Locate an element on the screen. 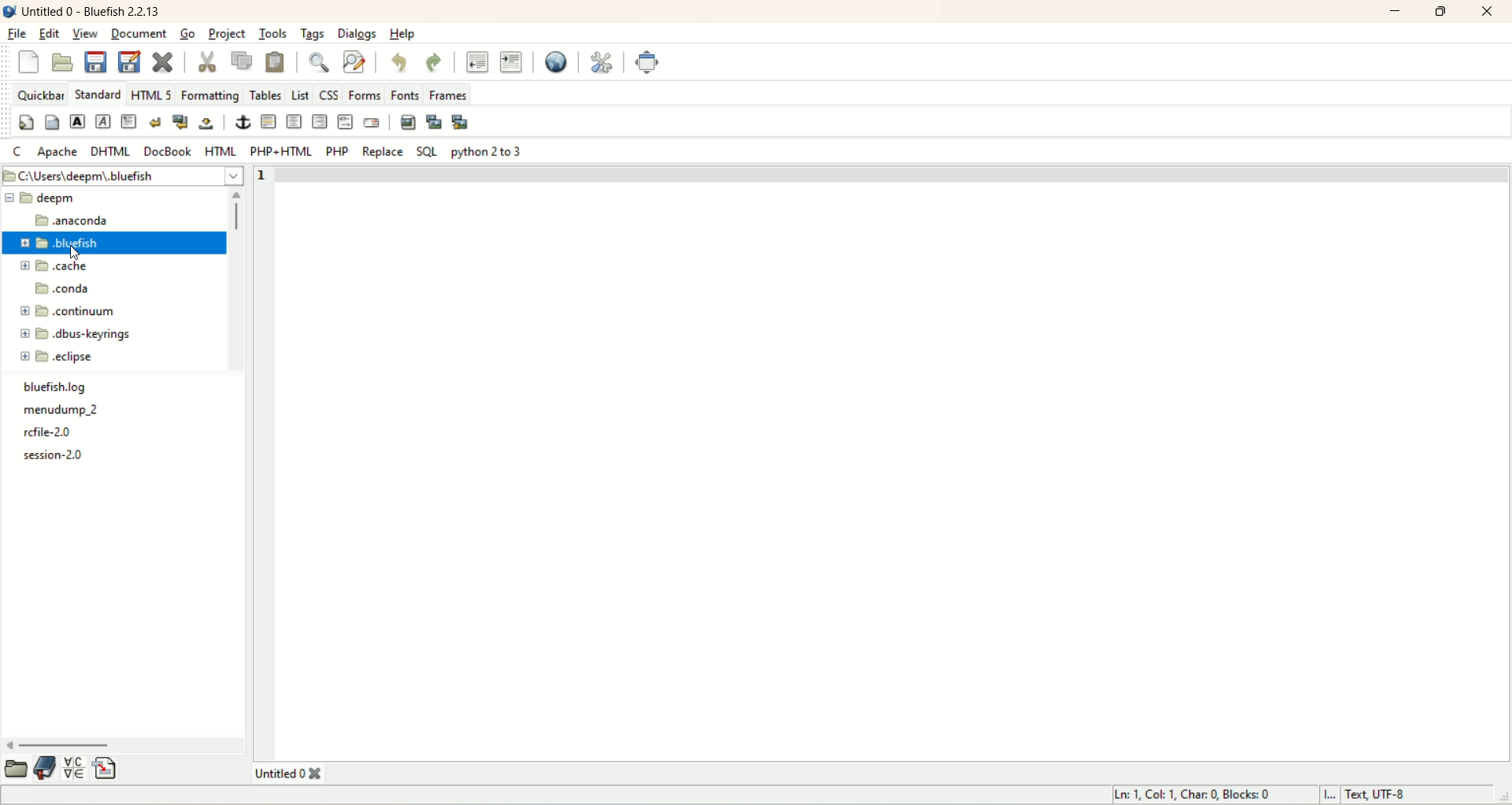 The width and height of the screenshot is (1512, 805). copy is located at coordinates (242, 61).